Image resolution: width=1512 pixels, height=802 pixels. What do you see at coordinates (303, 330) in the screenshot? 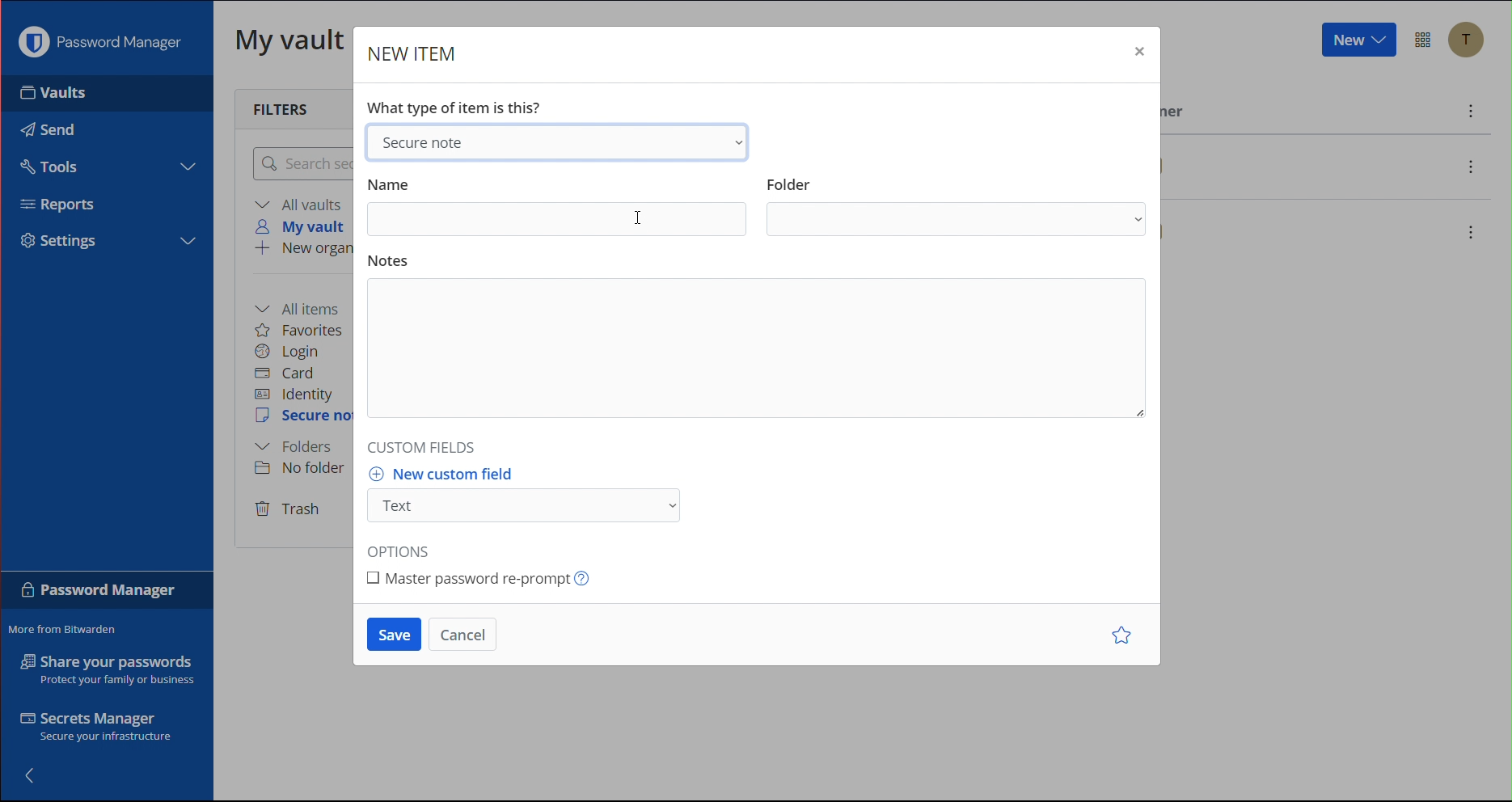
I see `Favorites` at bounding box center [303, 330].